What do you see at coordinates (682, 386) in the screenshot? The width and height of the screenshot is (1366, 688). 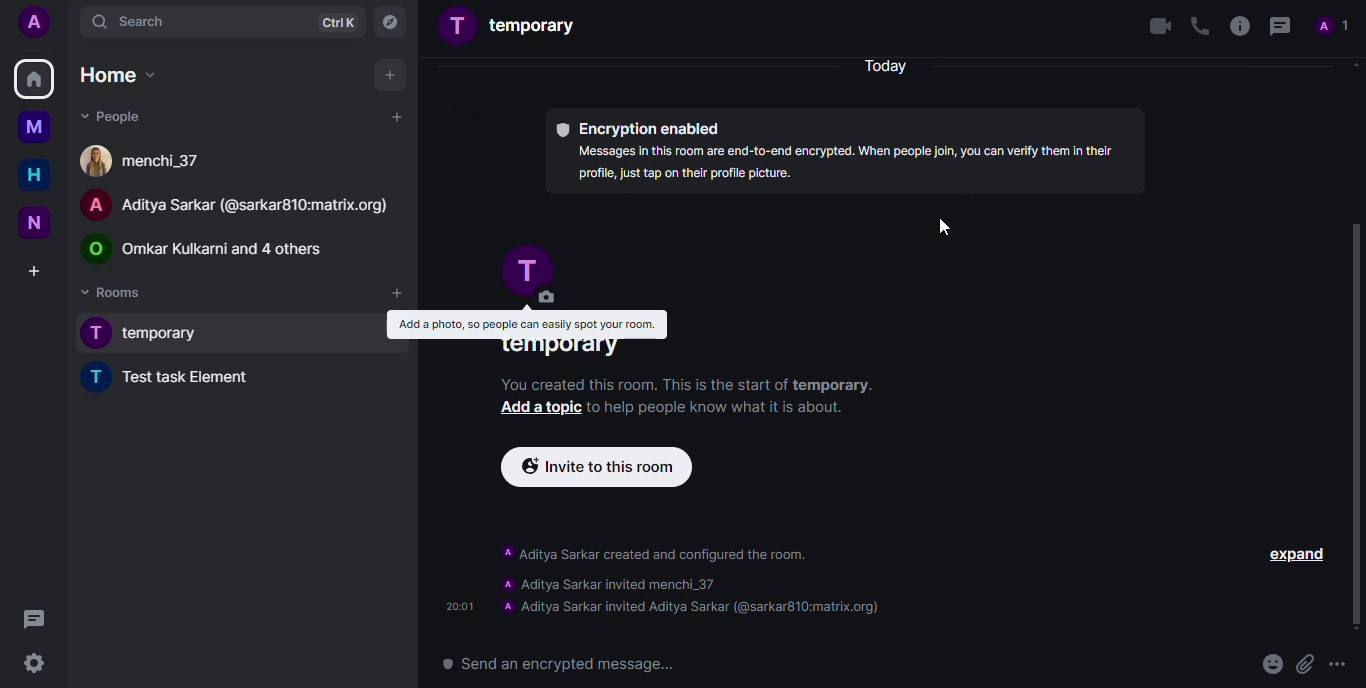 I see `You created this room. This is the start of temporary.` at bounding box center [682, 386].